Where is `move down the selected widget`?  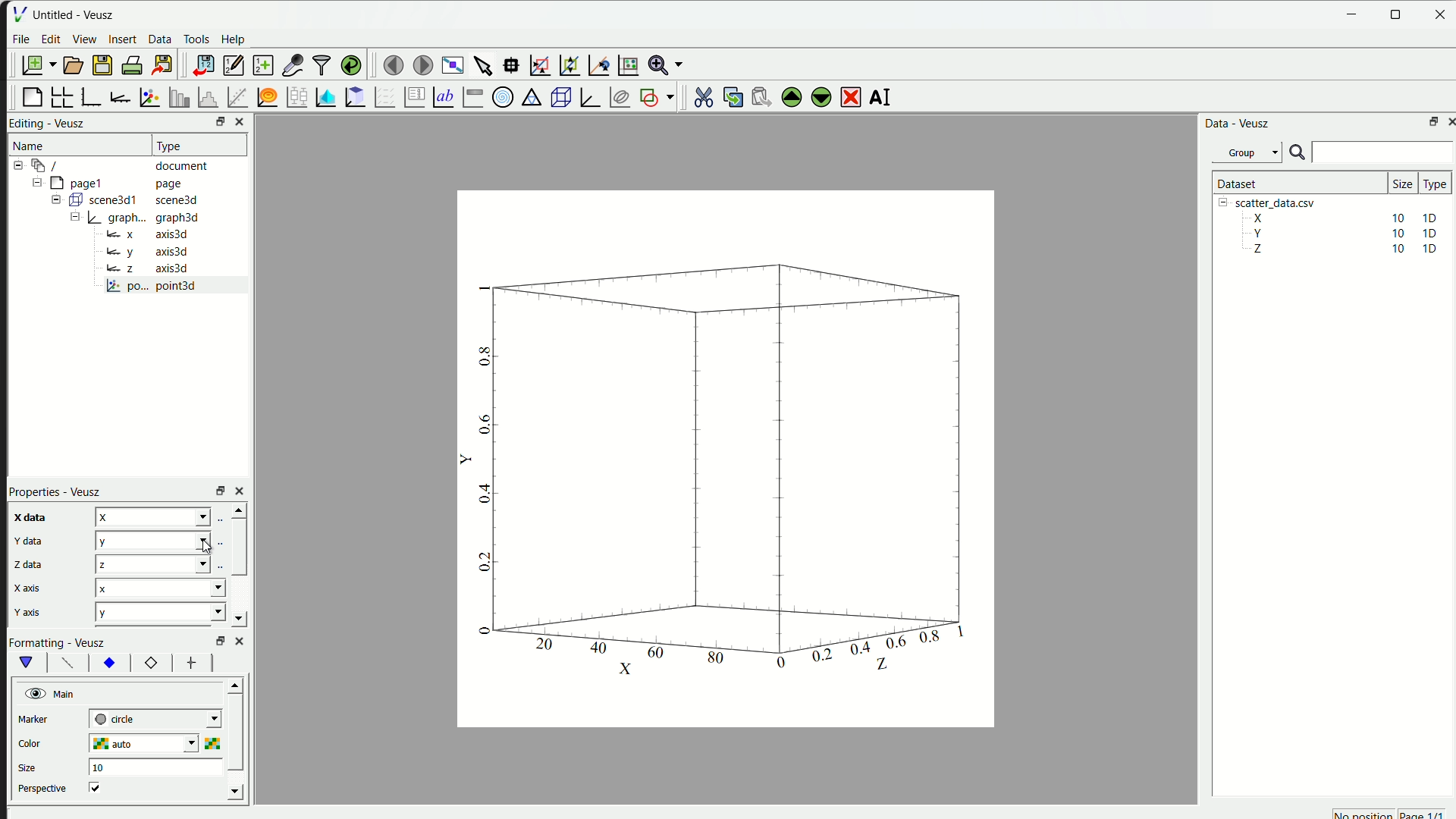 move down the selected widget is located at coordinates (820, 99).